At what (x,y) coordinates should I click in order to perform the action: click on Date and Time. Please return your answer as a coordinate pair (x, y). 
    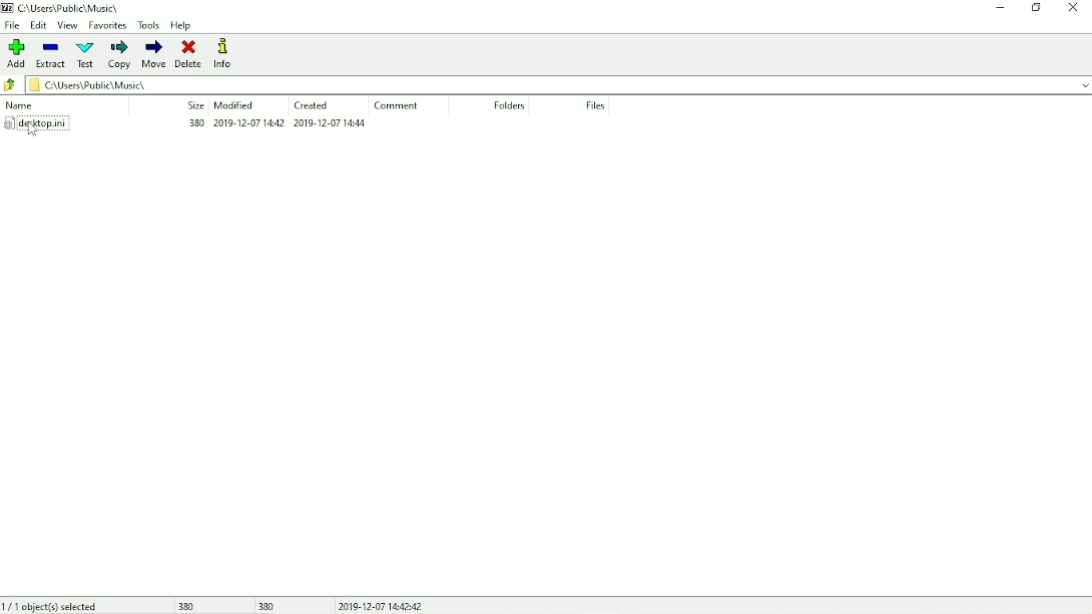
    Looking at the image, I should click on (382, 605).